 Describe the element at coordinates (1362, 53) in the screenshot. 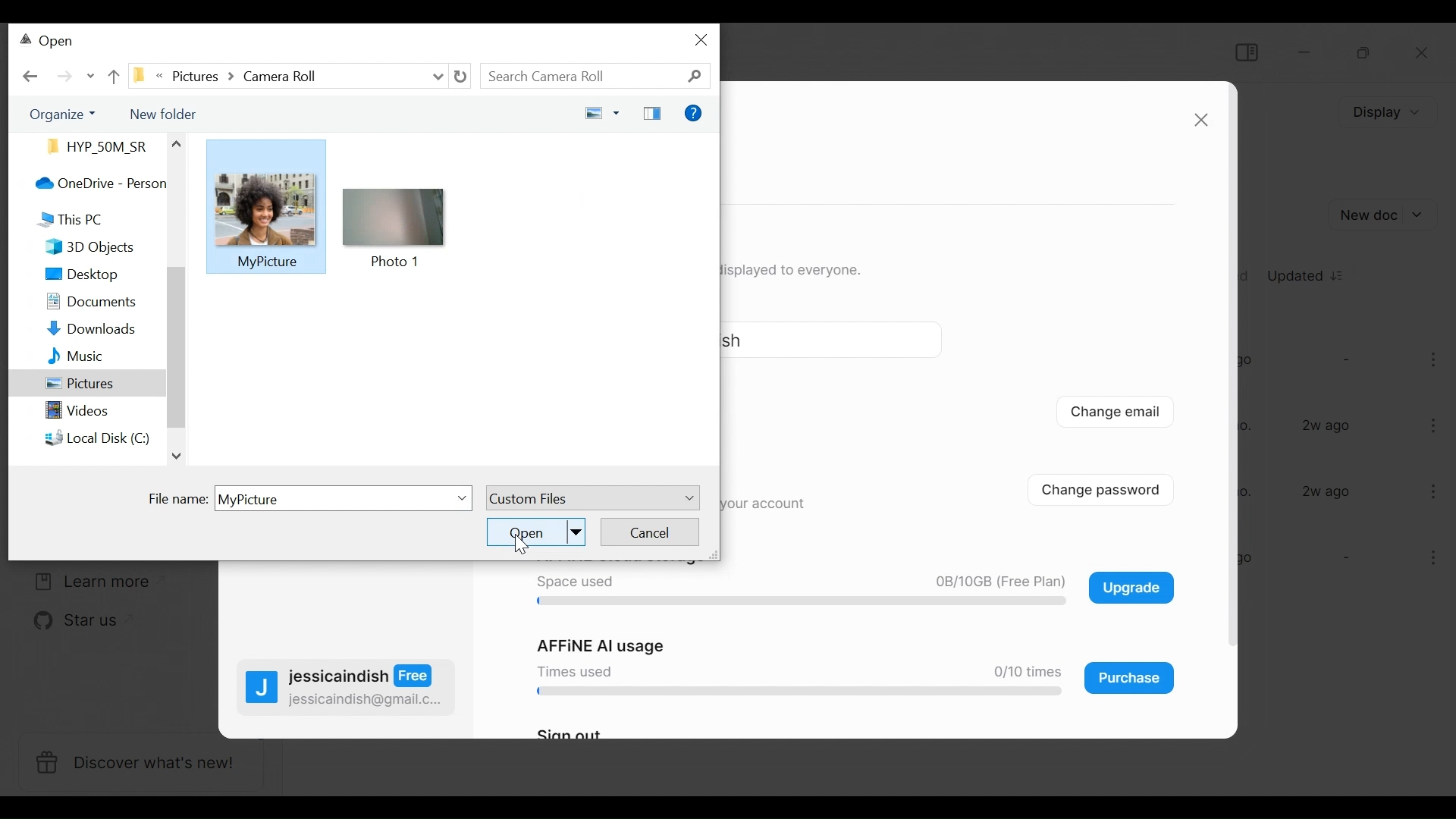

I see `Restore` at that location.